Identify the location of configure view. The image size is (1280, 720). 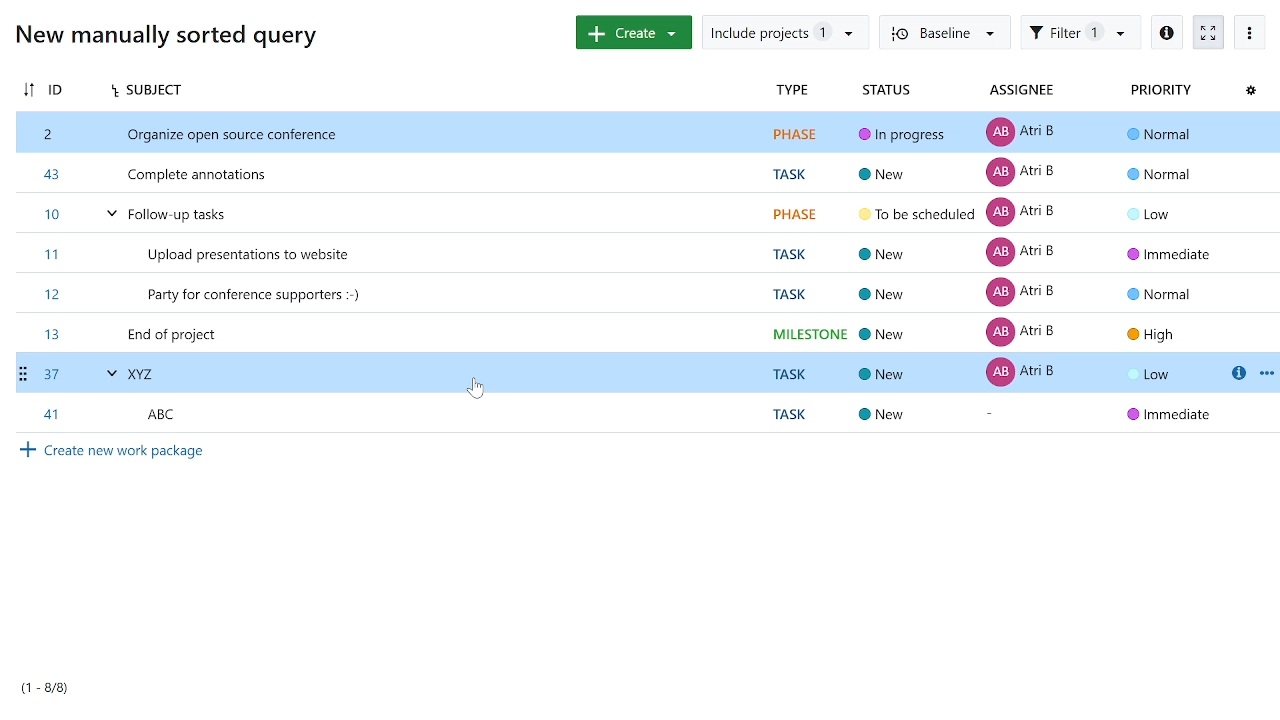
(1250, 91).